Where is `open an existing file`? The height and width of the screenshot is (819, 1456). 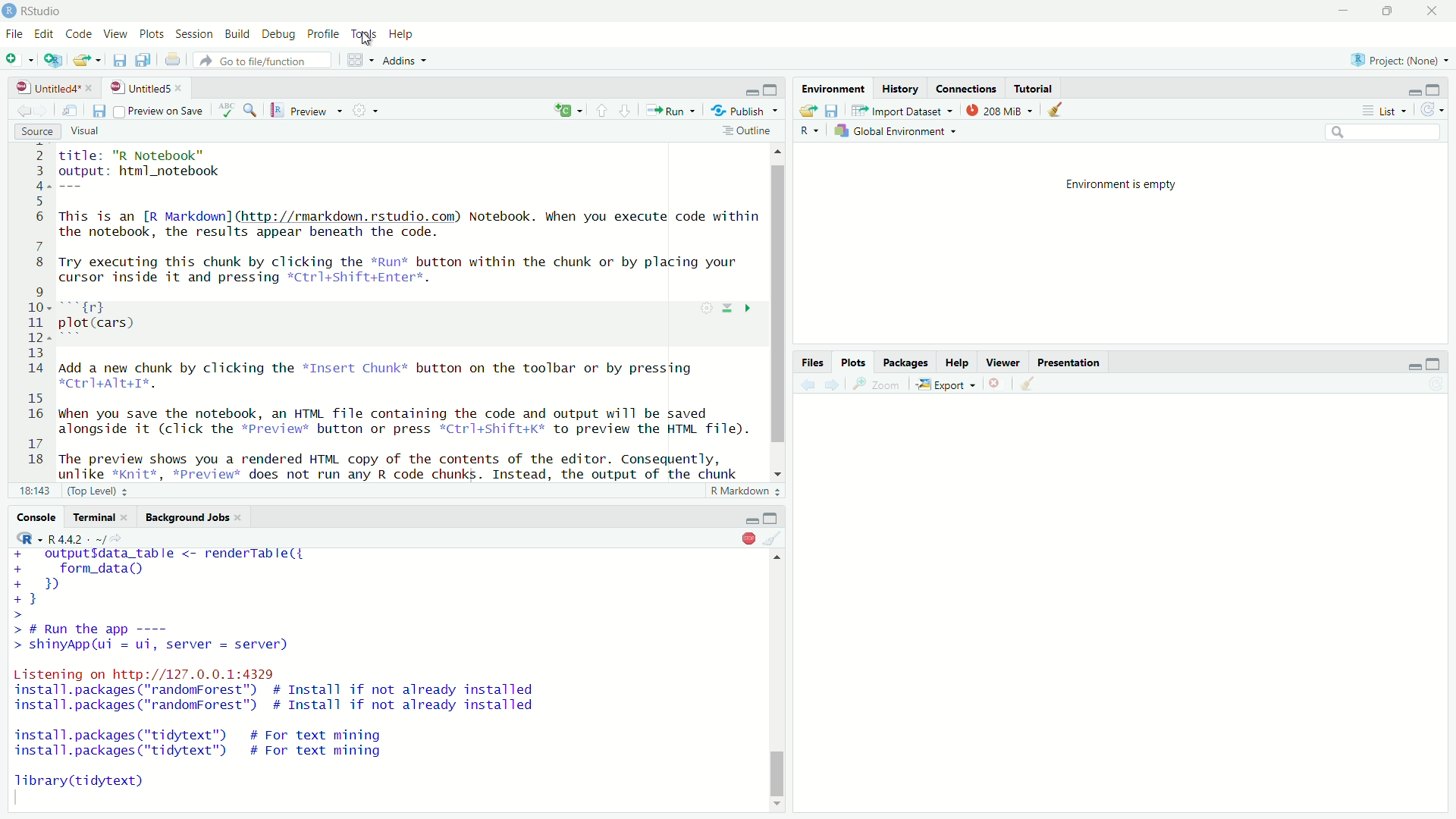
open an existing file is located at coordinates (88, 60).